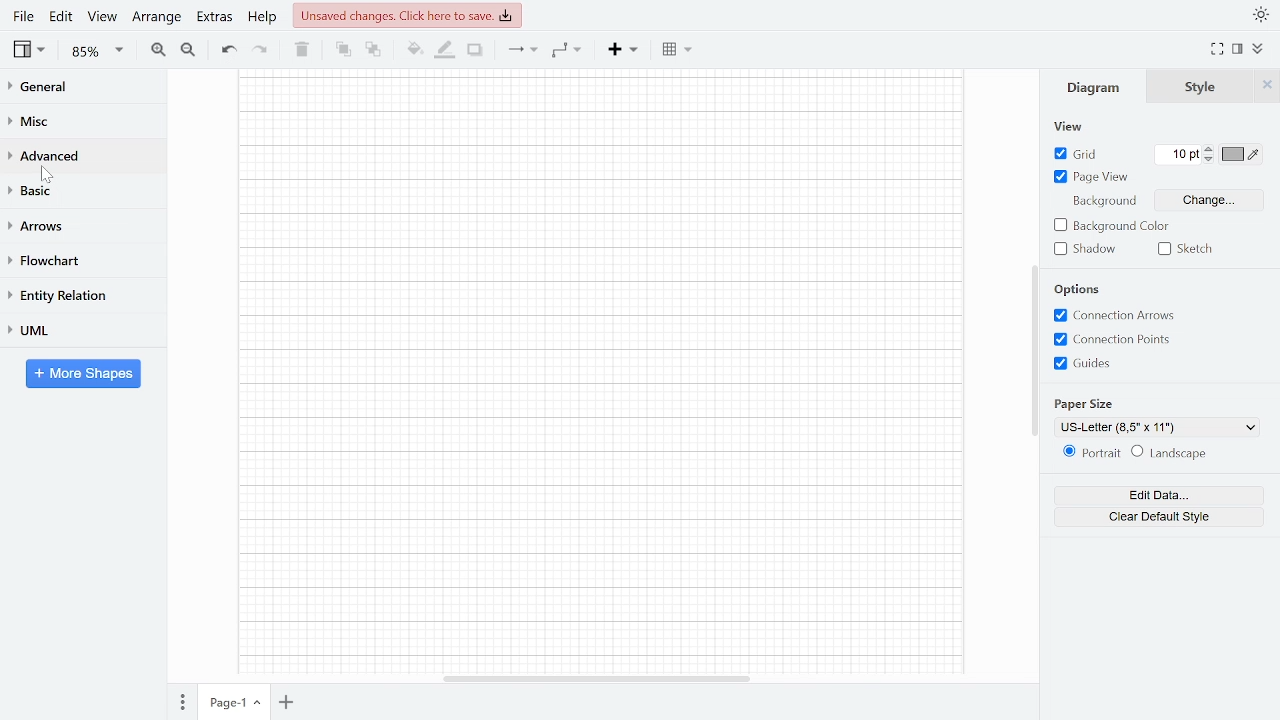 Image resolution: width=1280 pixels, height=720 pixels. I want to click on Insert, so click(622, 52).